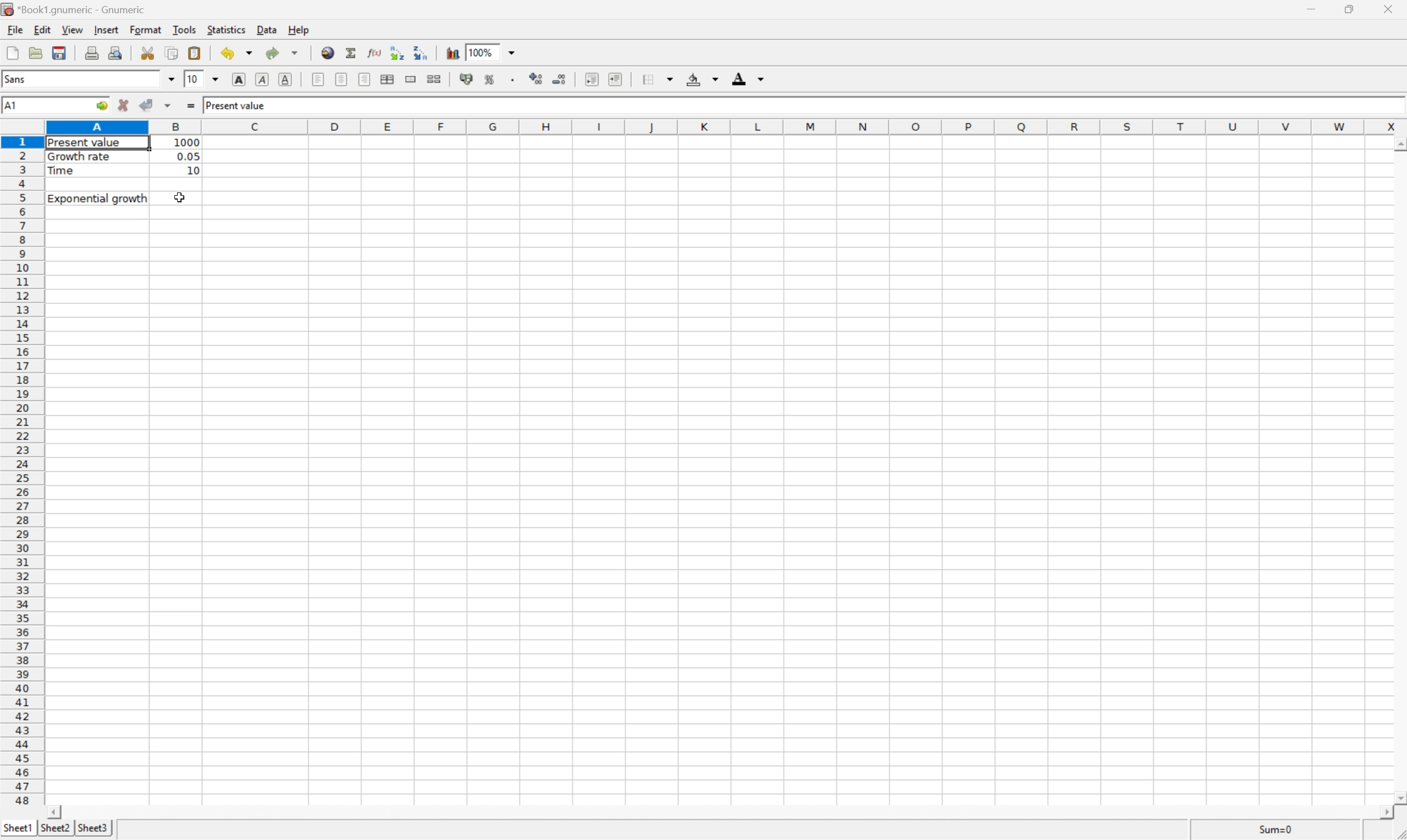 Image resolution: width=1407 pixels, height=840 pixels. I want to click on Sheet2, so click(57, 827).